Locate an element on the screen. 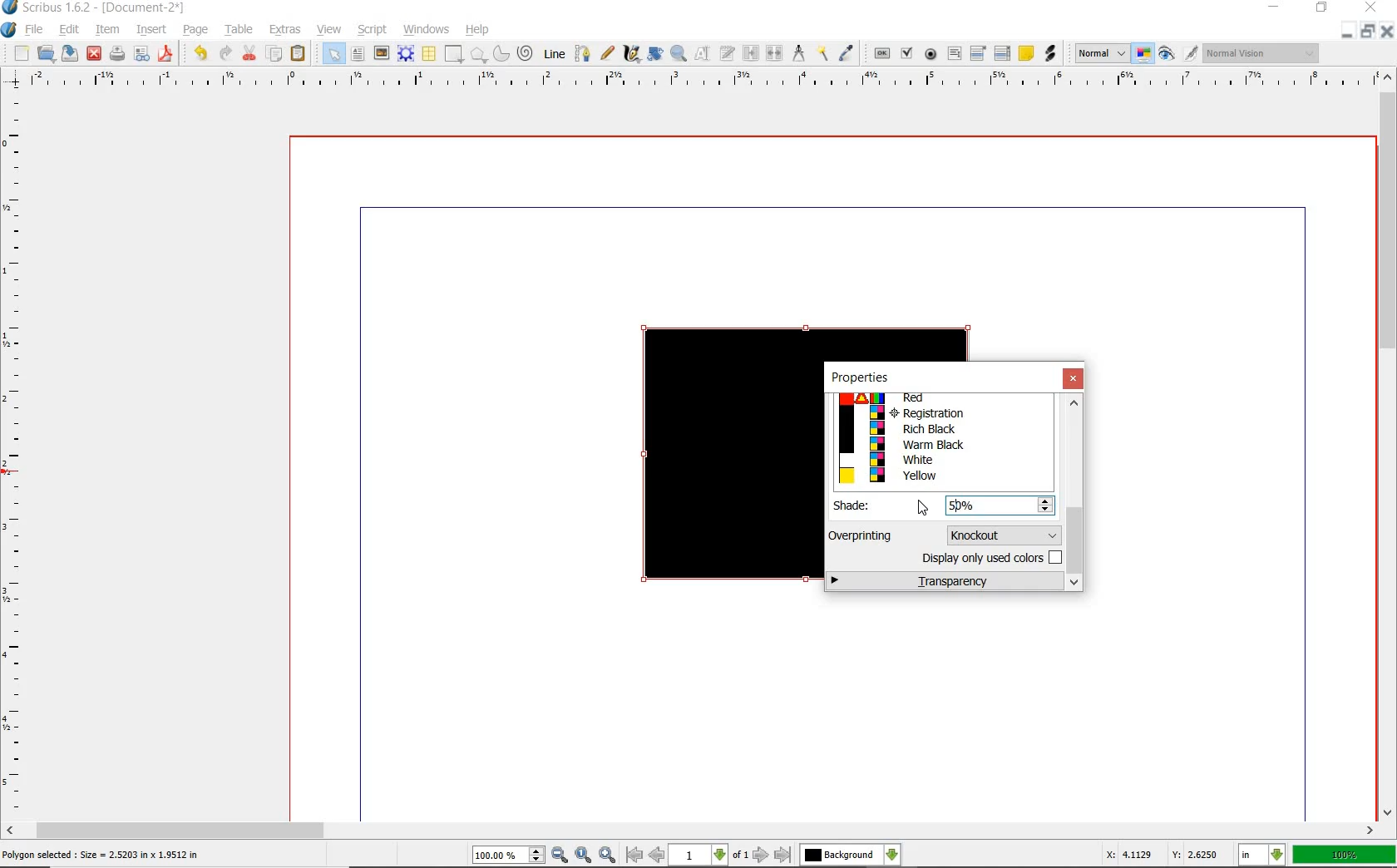  select the current layer is located at coordinates (851, 855).